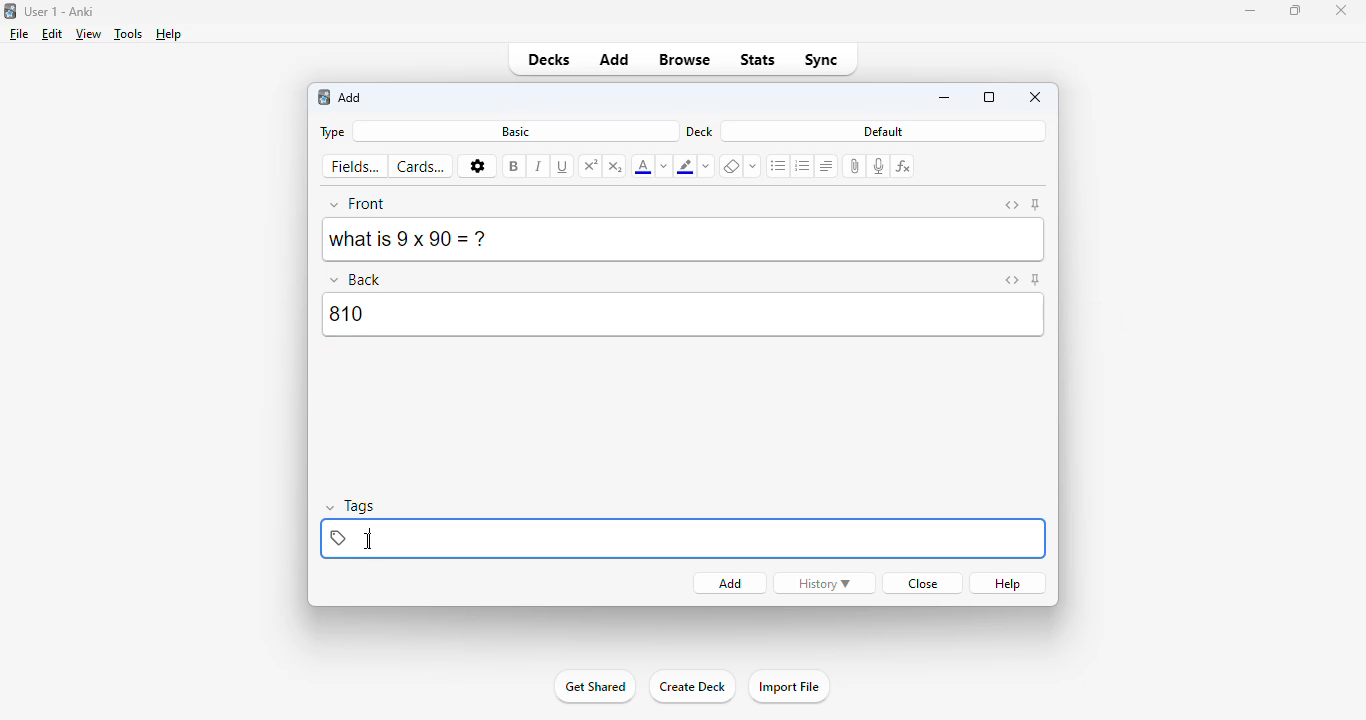  Describe the element at coordinates (356, 167) in the screenshot. I see `fields` at that location.